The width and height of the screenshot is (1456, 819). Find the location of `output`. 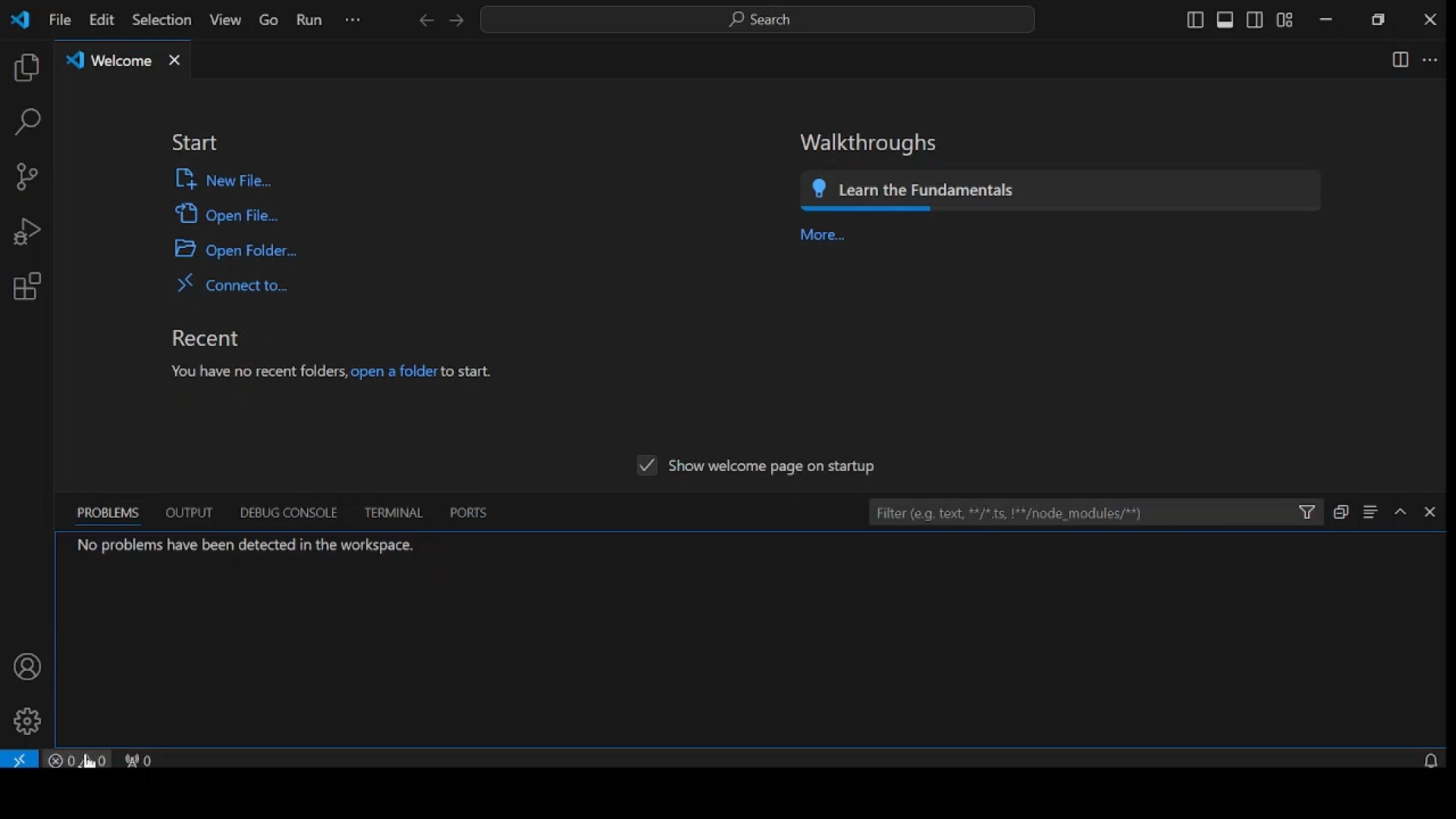

output is located at coordinates (190, 512).